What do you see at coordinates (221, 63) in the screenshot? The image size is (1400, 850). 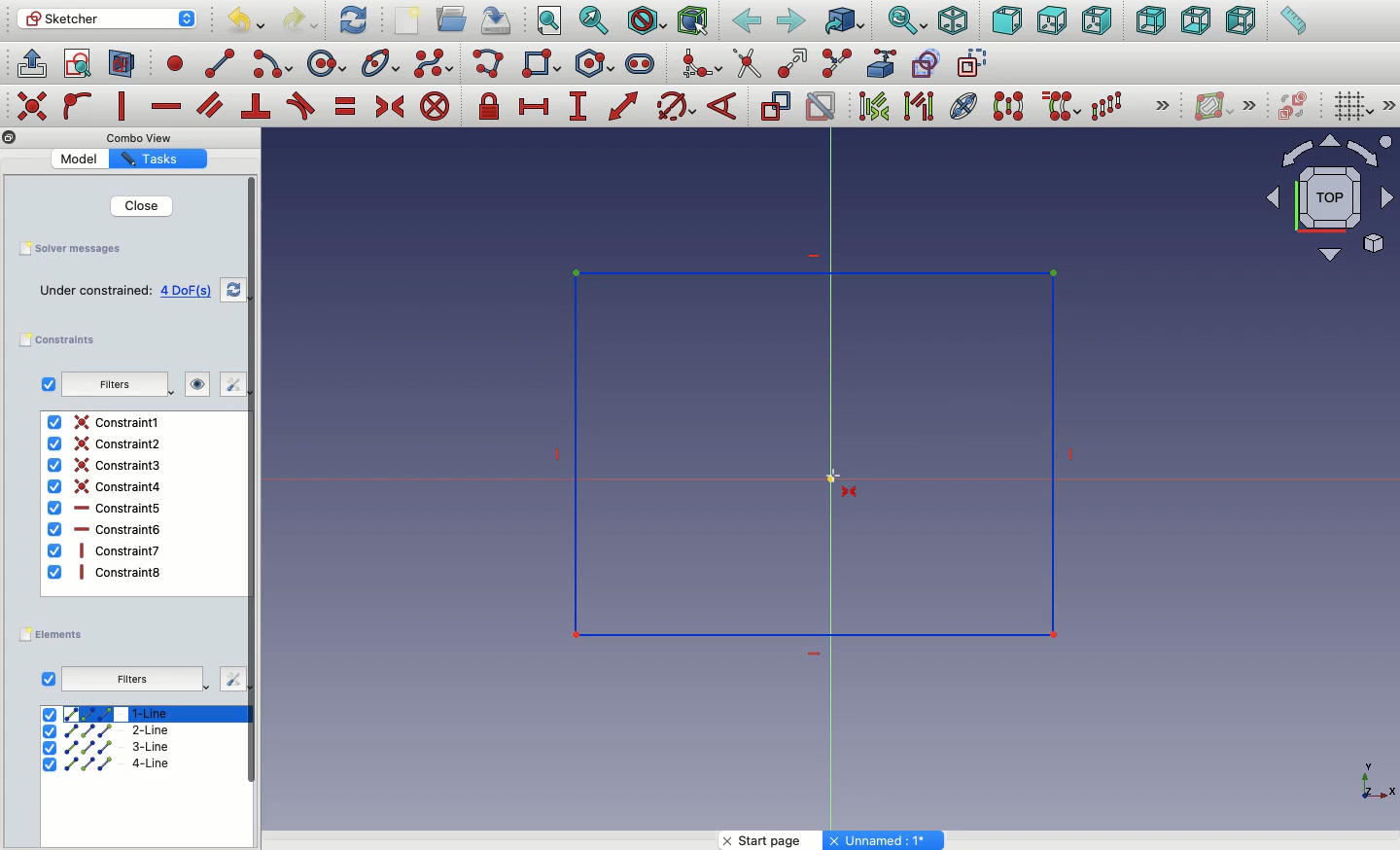 I see `line` at bounding box center [221, 63].